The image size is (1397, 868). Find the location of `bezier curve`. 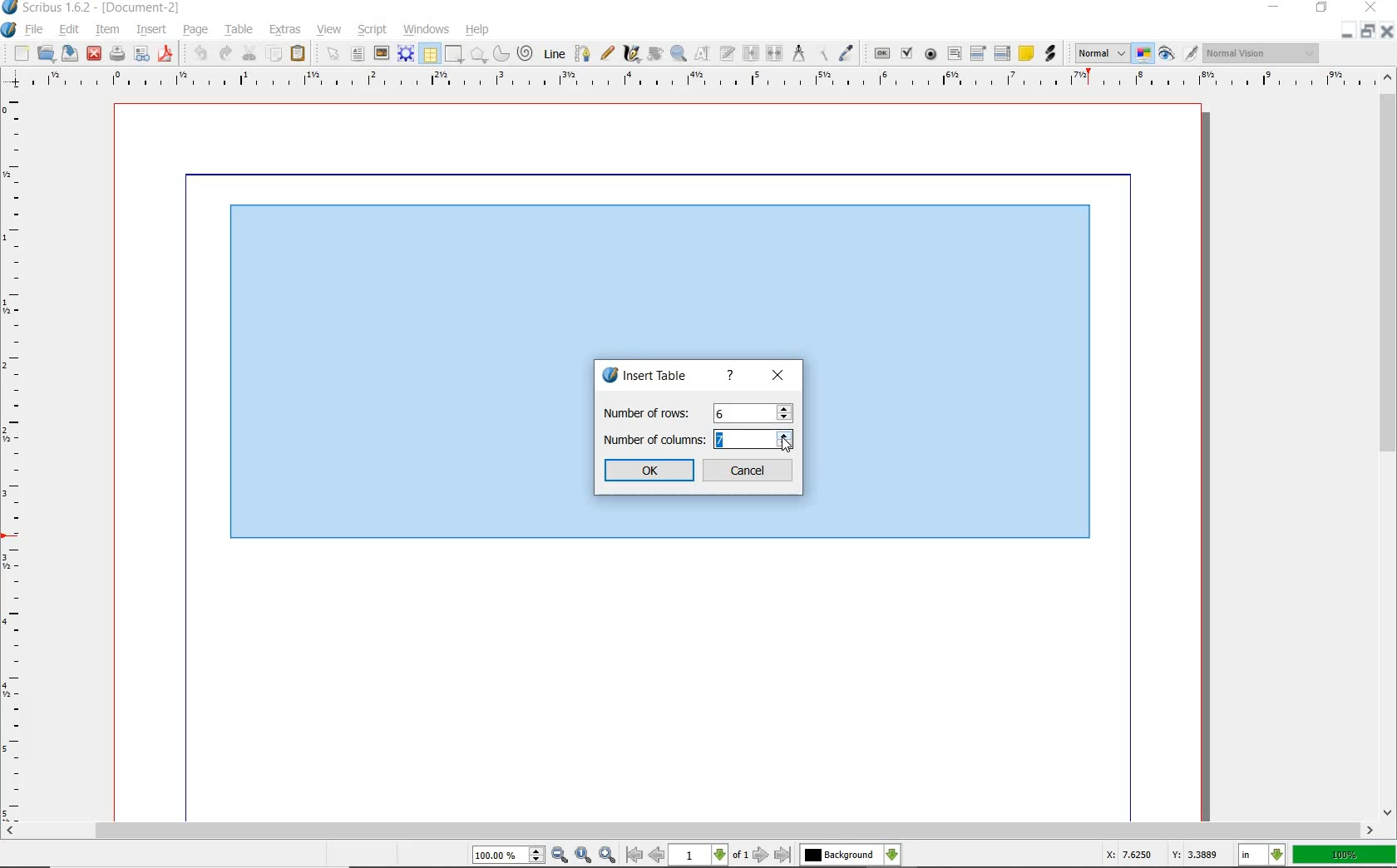

bezier curve is located at coordinates (583, 56).